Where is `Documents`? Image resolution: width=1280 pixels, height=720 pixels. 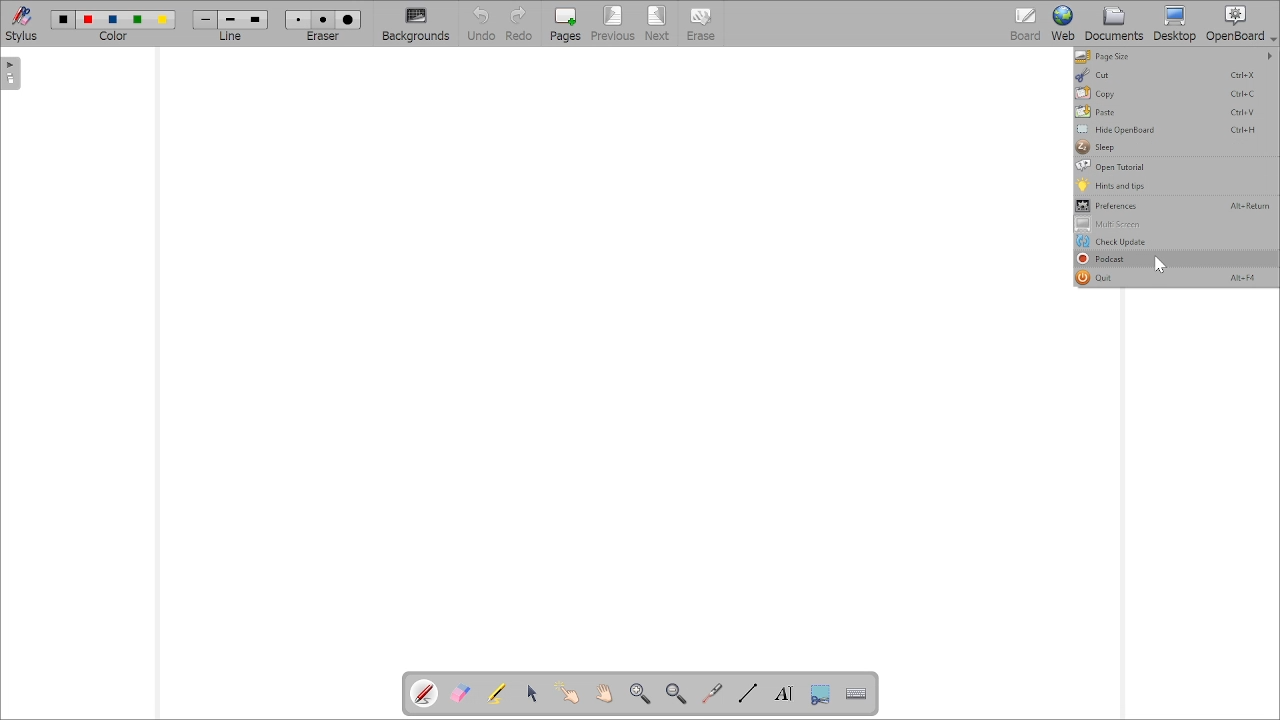 Documents is located at coordinates (1114, 25).